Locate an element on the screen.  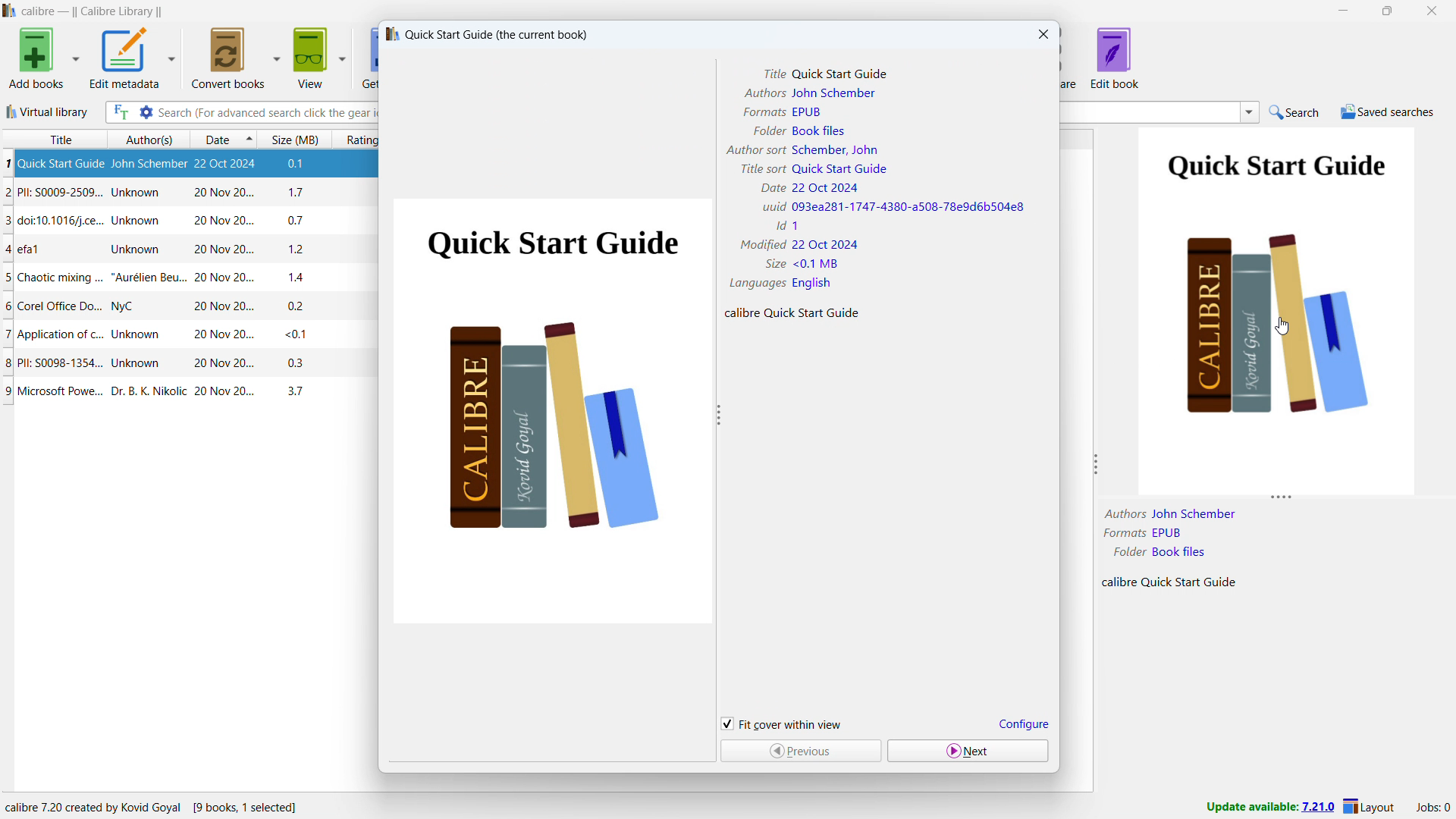
Quick Start Guide is located at coordinates (54, 164).